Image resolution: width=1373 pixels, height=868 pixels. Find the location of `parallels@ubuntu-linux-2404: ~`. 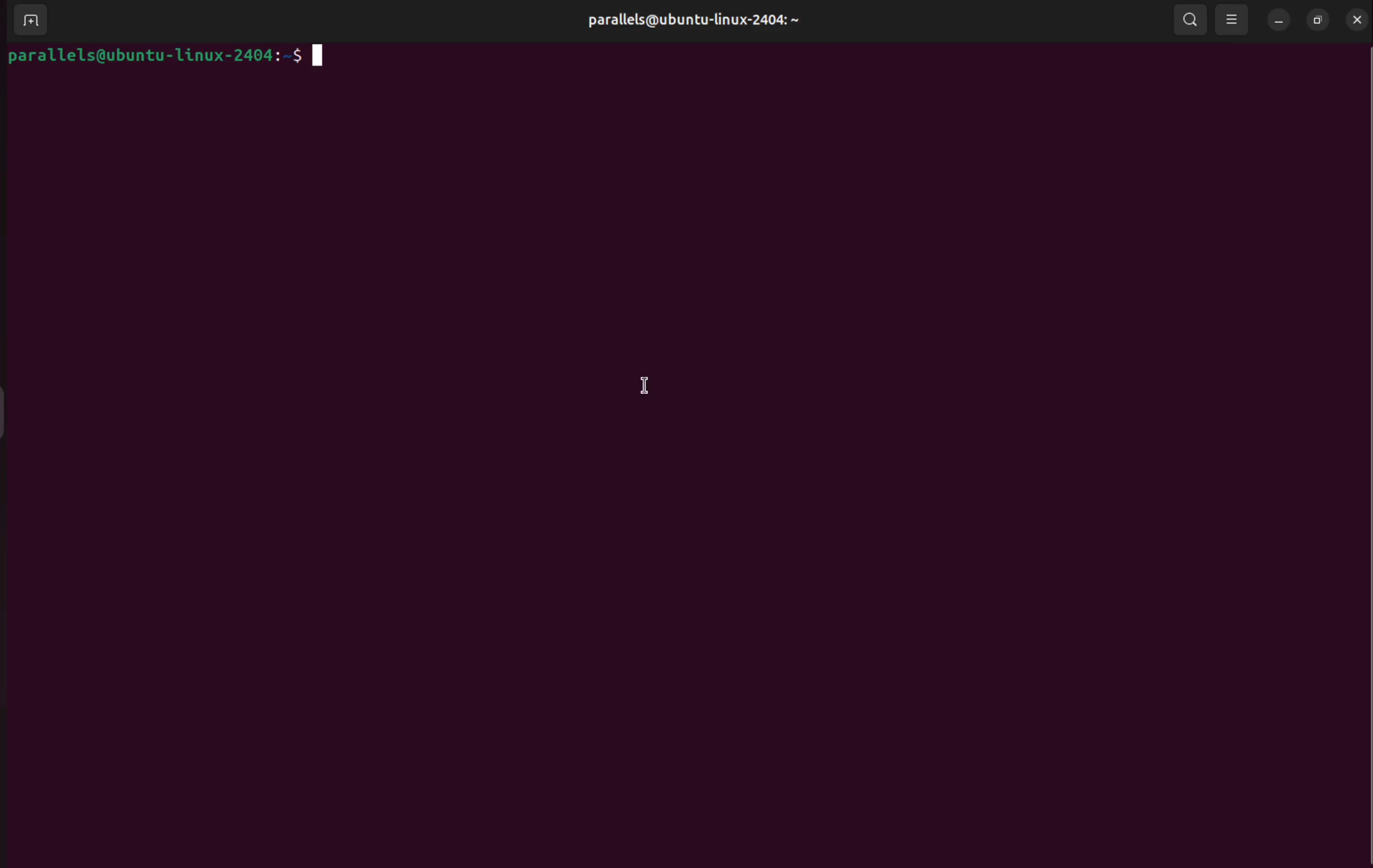

parallels@ubuntu-linux-2404: ~ is located at coordinates (693, 21).